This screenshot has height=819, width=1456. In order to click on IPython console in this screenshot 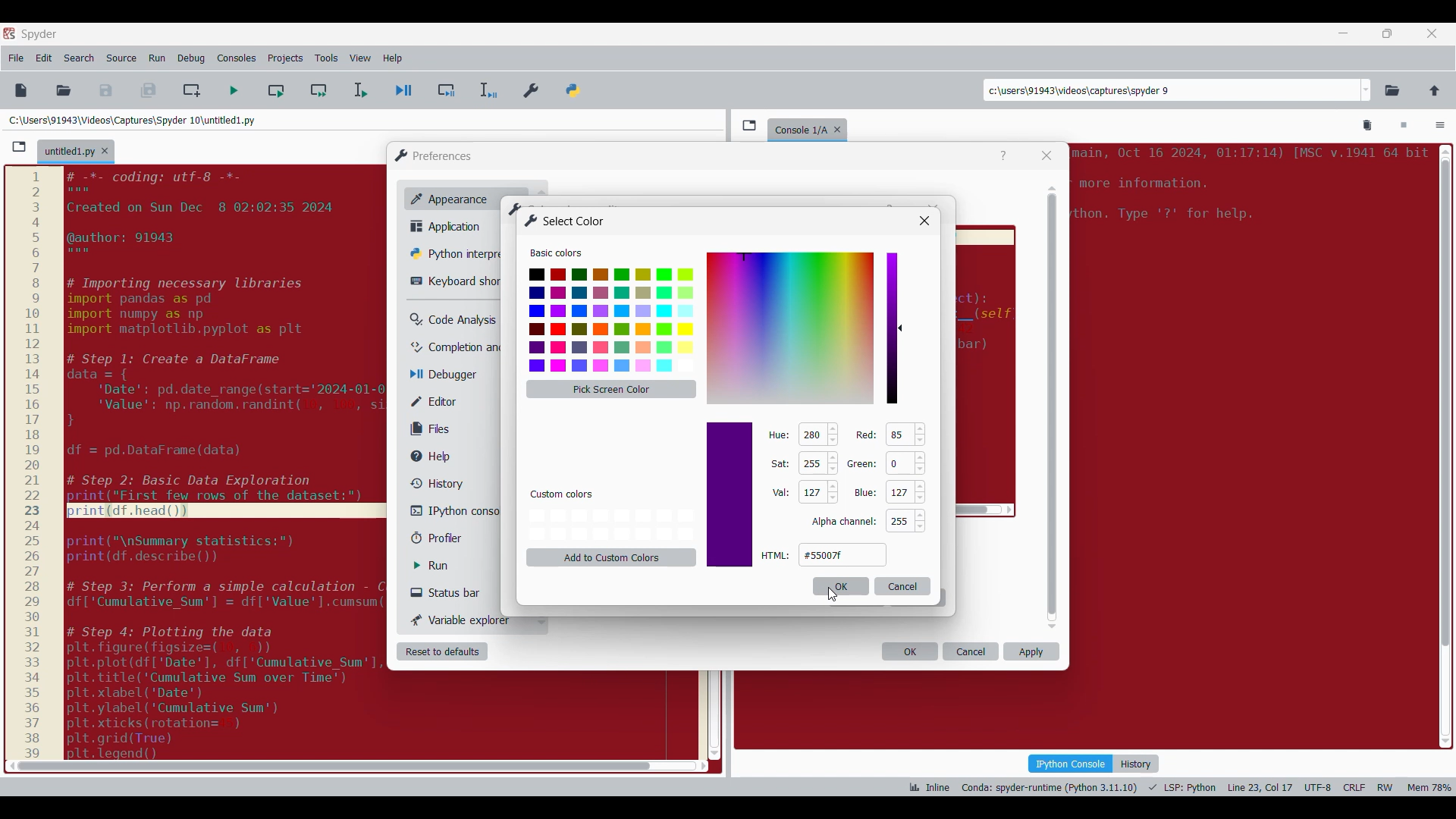, I will do `click(1070, 763)`.